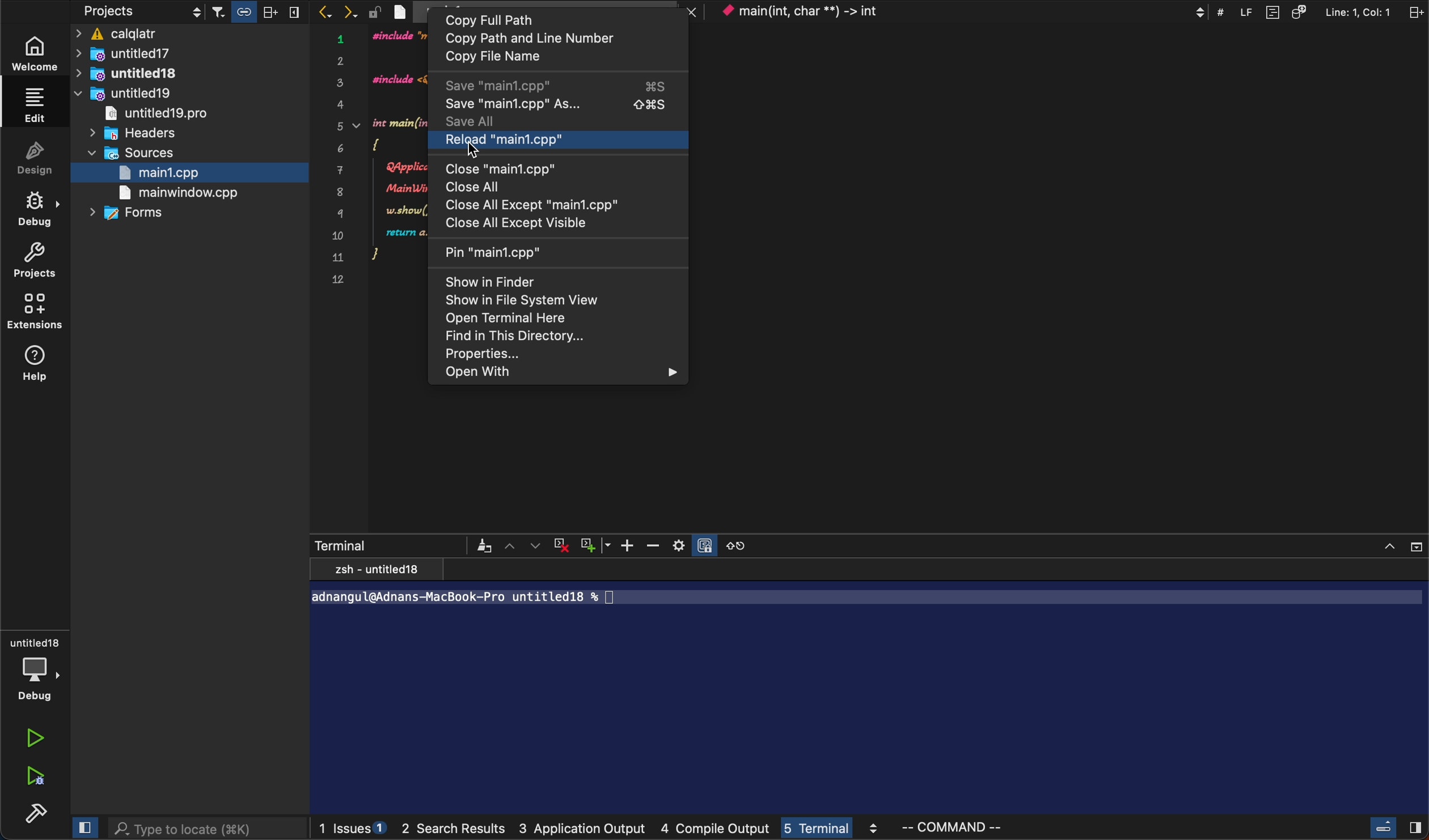 The width and height of the screenshot is (1429, 840). I want to click on search result, so click(458, 831).